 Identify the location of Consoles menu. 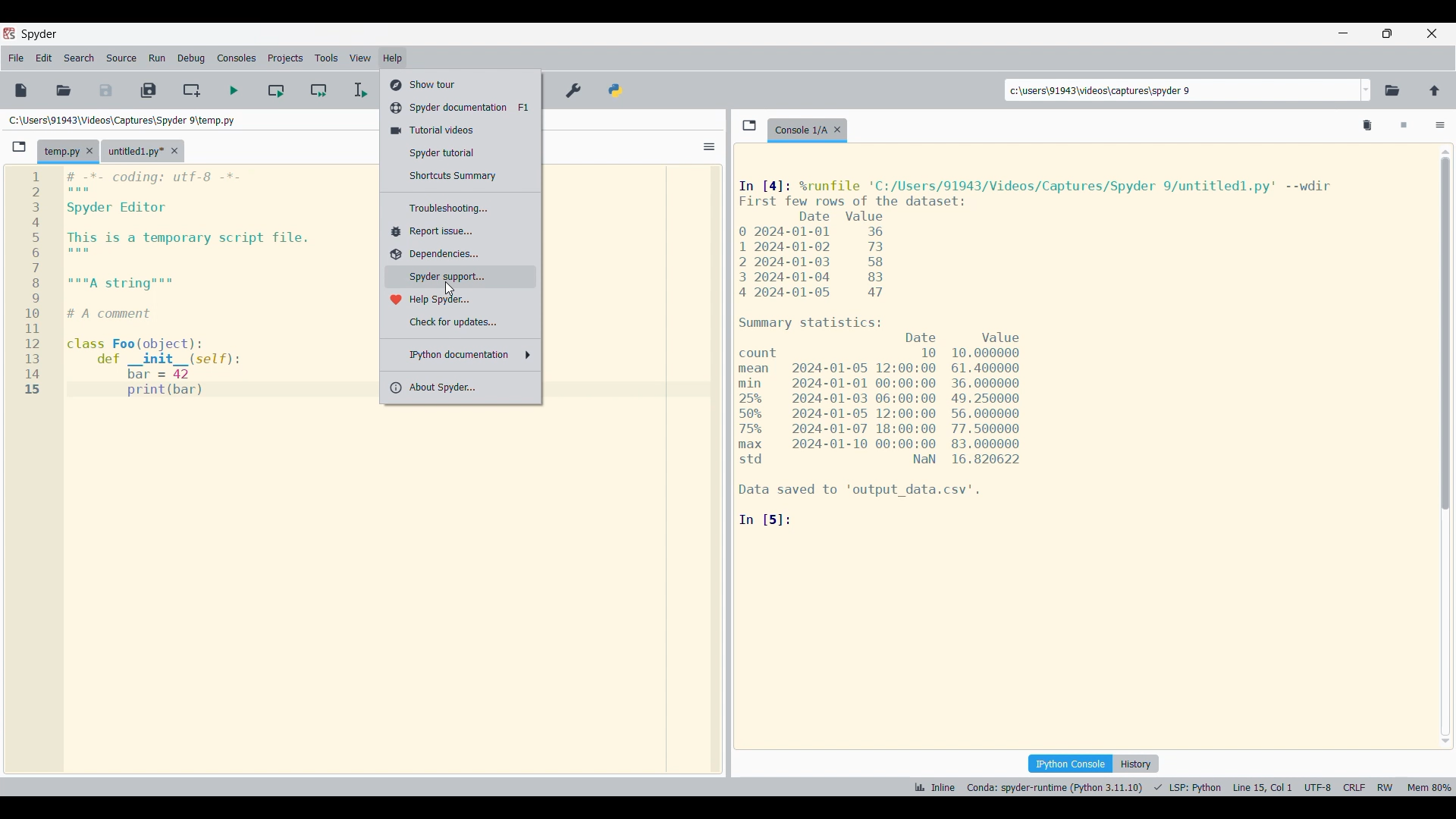
(237, 58).